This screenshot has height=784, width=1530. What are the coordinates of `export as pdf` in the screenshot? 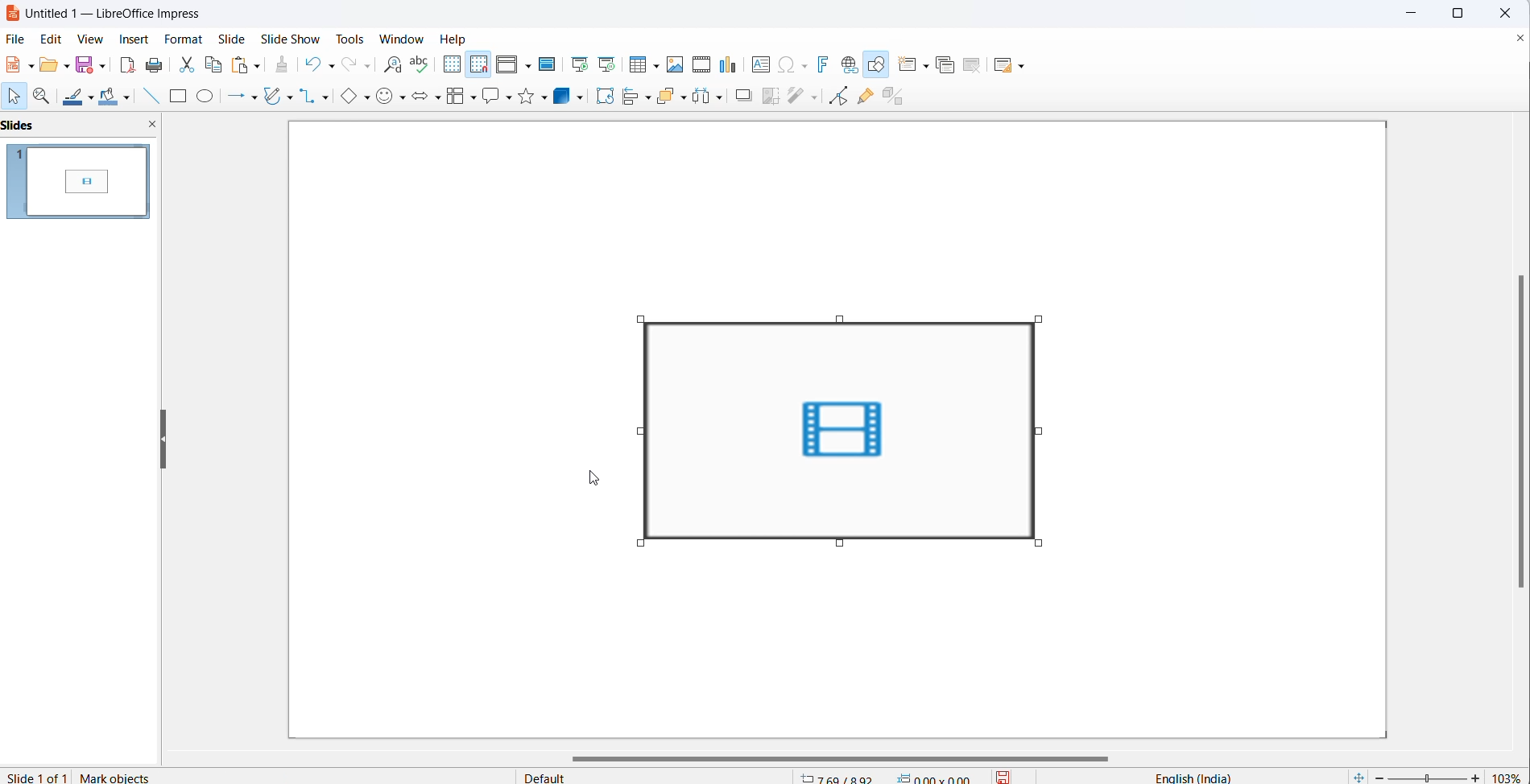 It's located at (126, 65).